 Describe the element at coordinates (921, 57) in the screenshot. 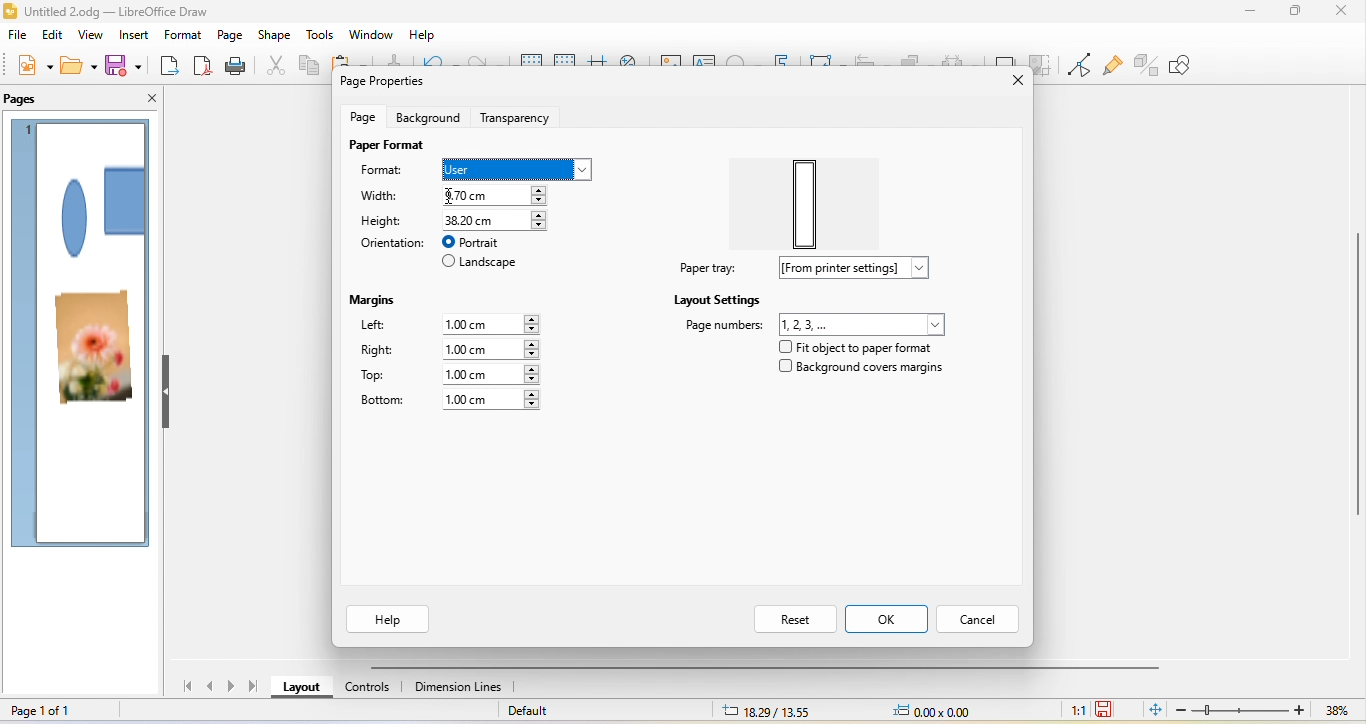

I see `arrange` at that location.